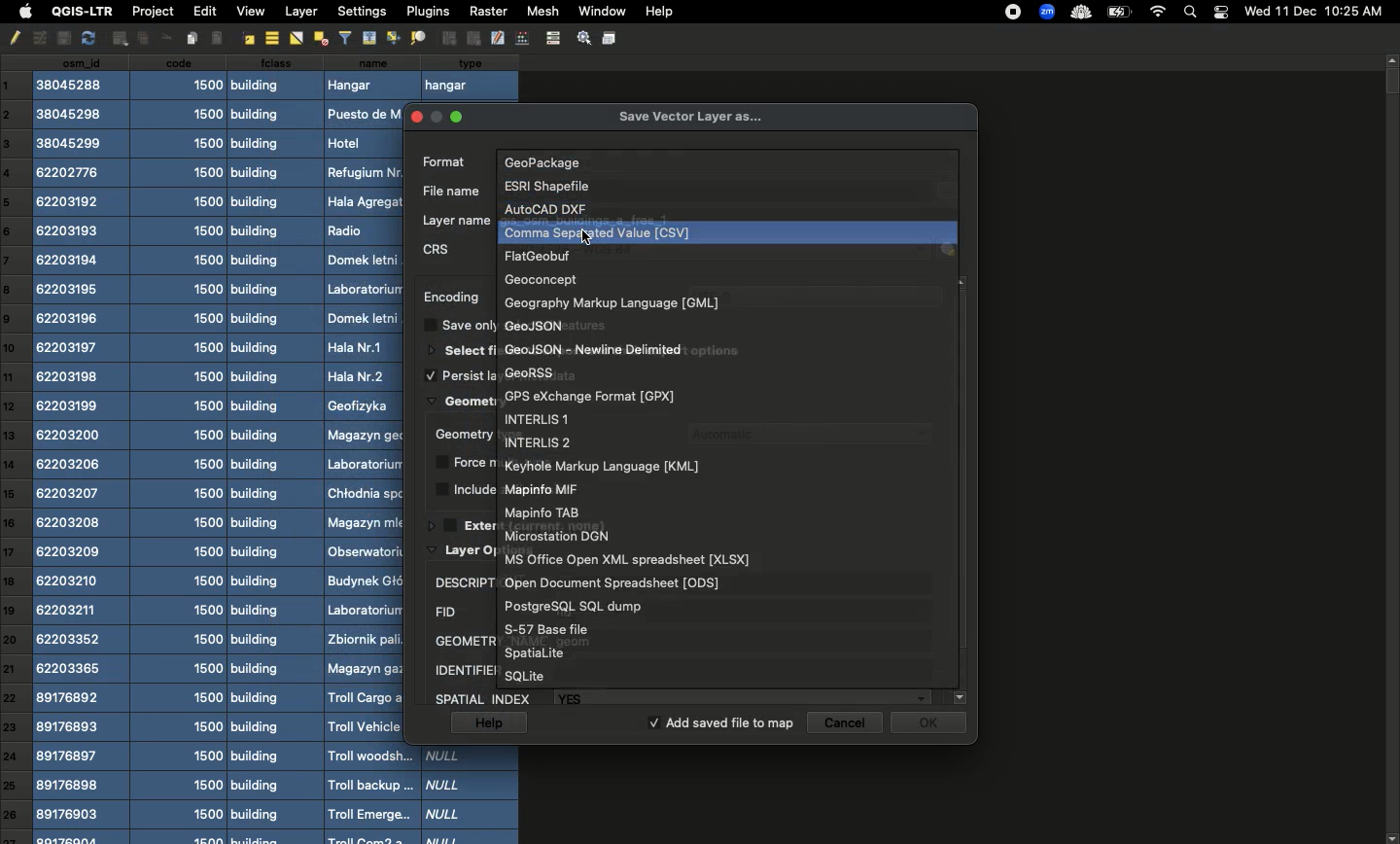  I want to click on , so click(162, 38).